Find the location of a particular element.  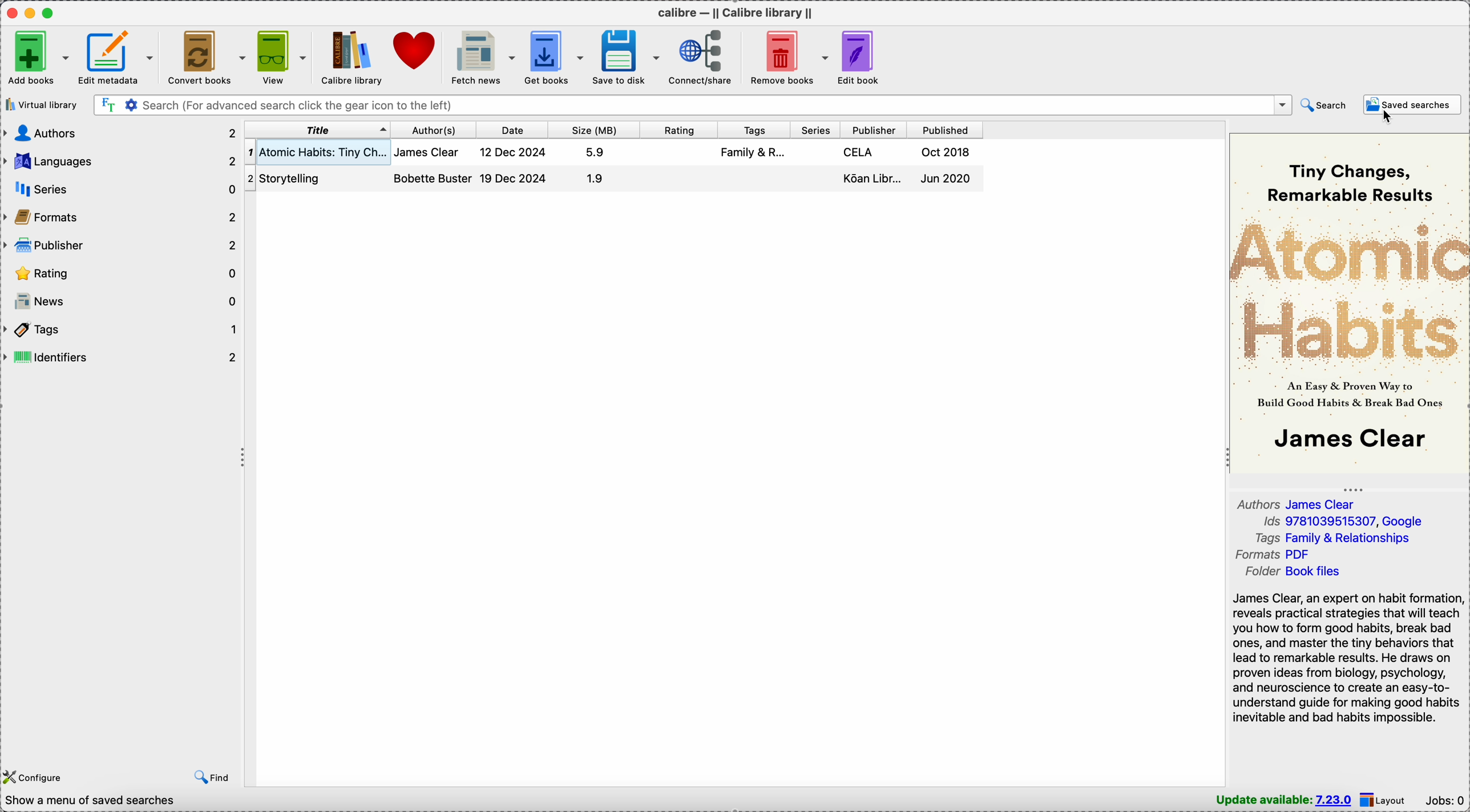

remove books is located at coordinates (786, 56).